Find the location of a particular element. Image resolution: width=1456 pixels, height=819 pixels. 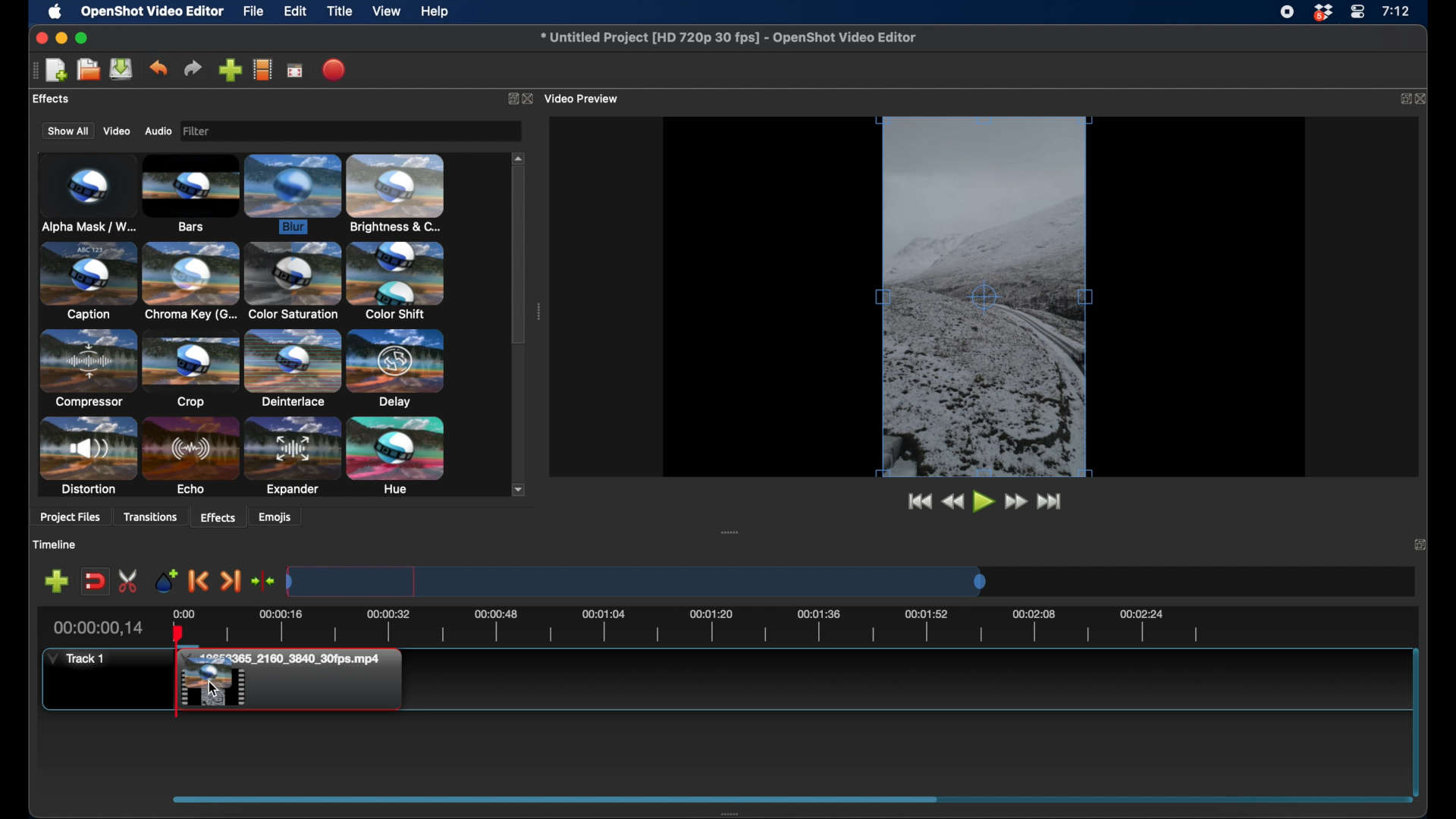

echo is located at coordinates (190, 457).